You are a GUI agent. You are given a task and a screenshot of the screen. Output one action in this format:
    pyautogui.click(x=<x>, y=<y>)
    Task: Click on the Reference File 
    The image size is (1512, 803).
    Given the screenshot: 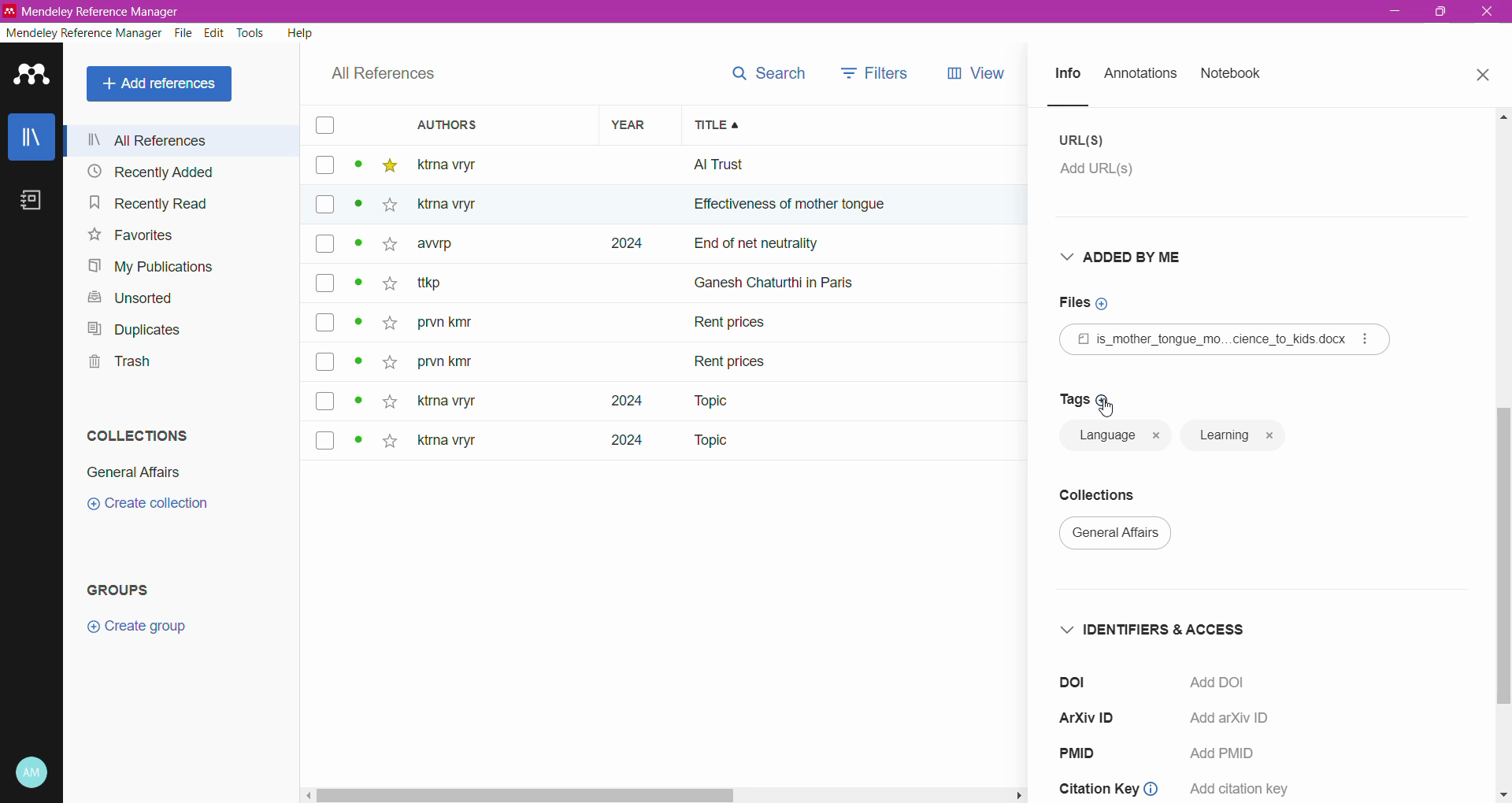 What is the action you would take?
    pyautogui.click(x=1225, y=339)
    